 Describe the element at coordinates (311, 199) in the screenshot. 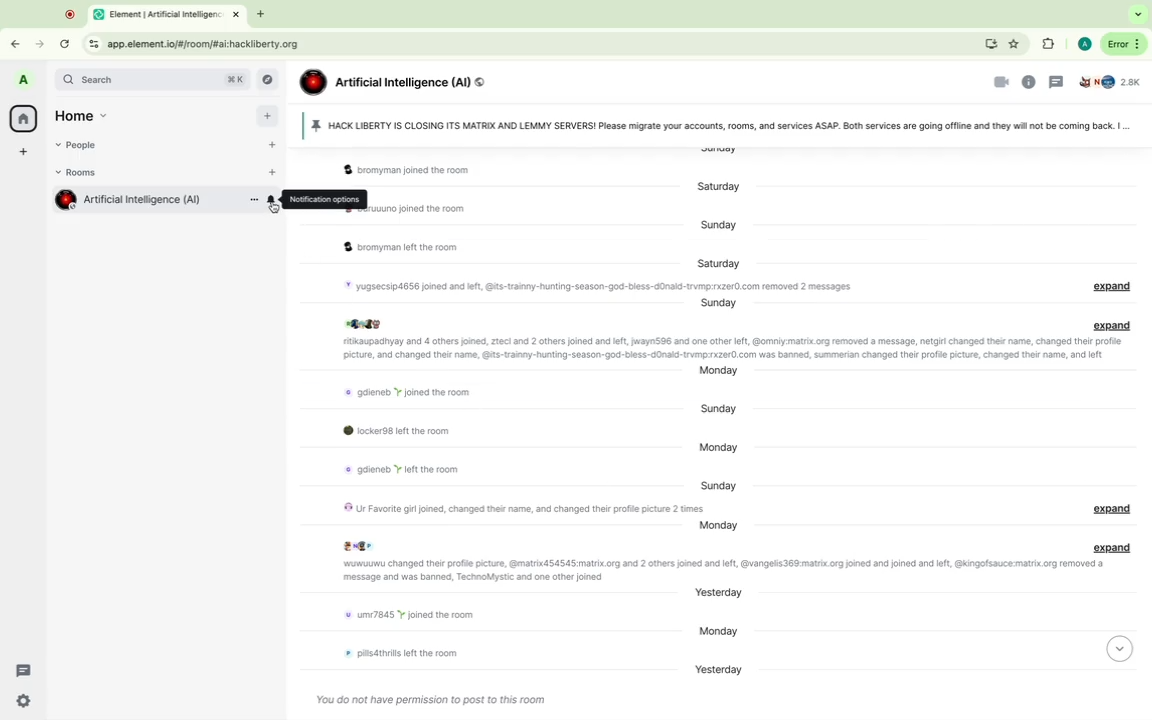

I see `` at that location.